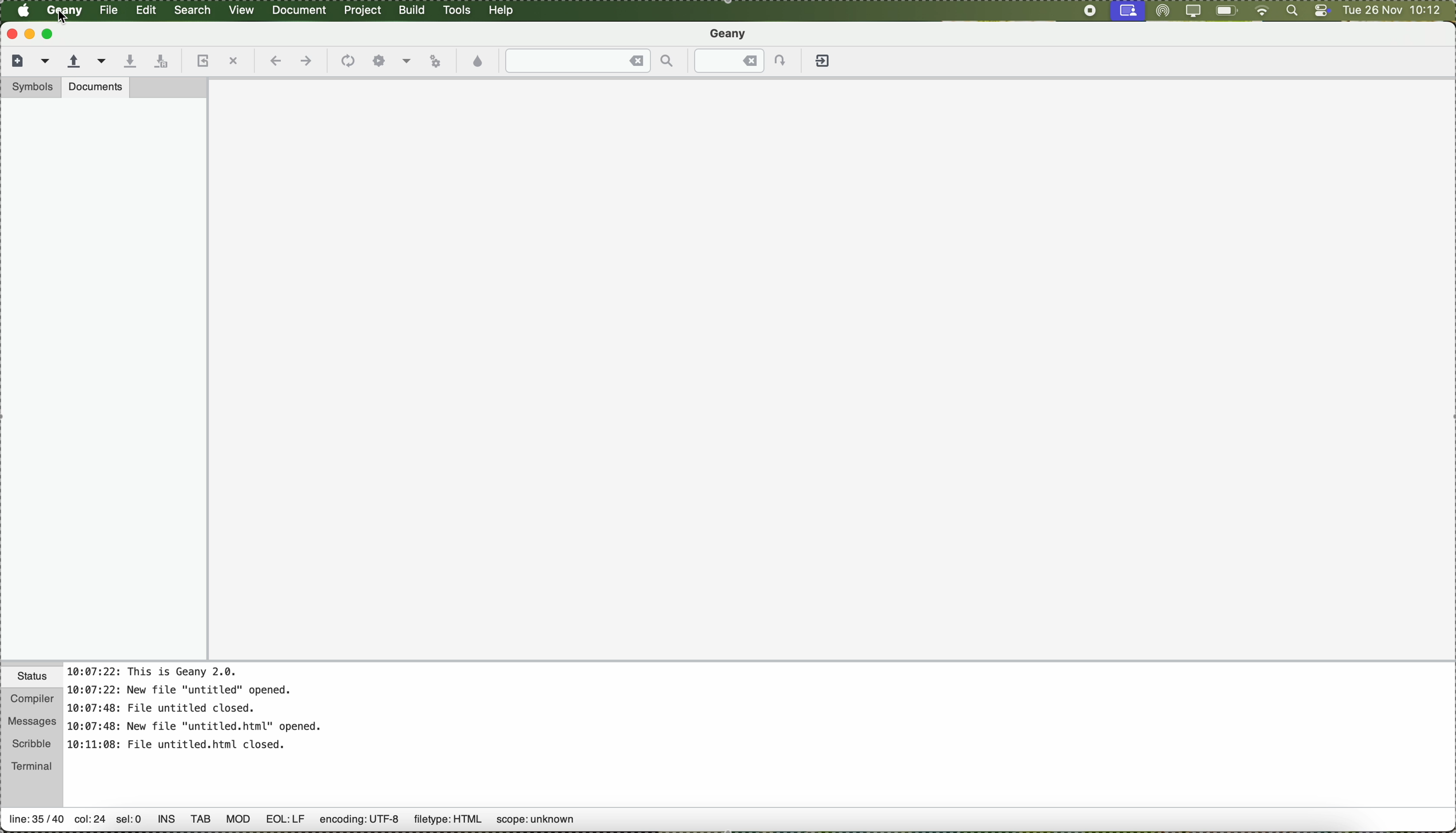 The height and width of the screenshot is (833, 1456). Describe the element at coordinates (31, 88) in the screenshot. I see `symbols` at that location.